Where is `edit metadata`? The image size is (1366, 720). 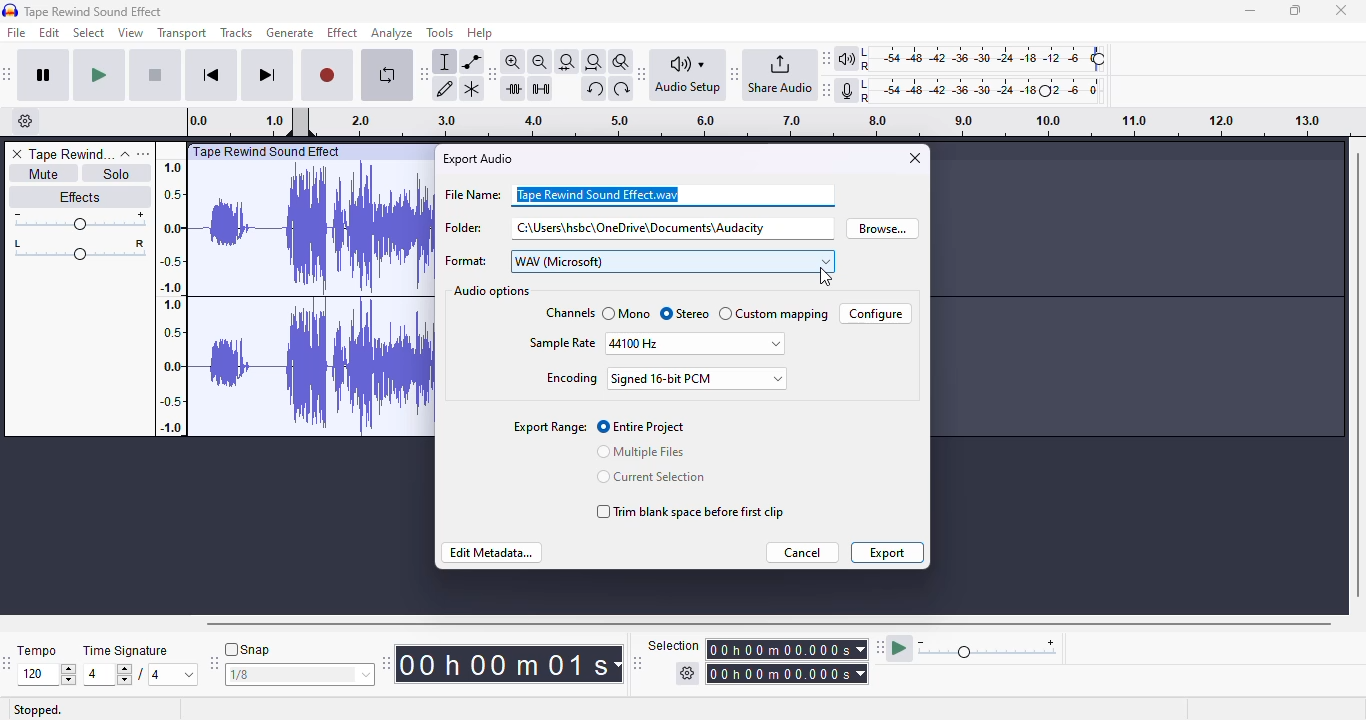 edit metadata is located at coordinates (492, 553).